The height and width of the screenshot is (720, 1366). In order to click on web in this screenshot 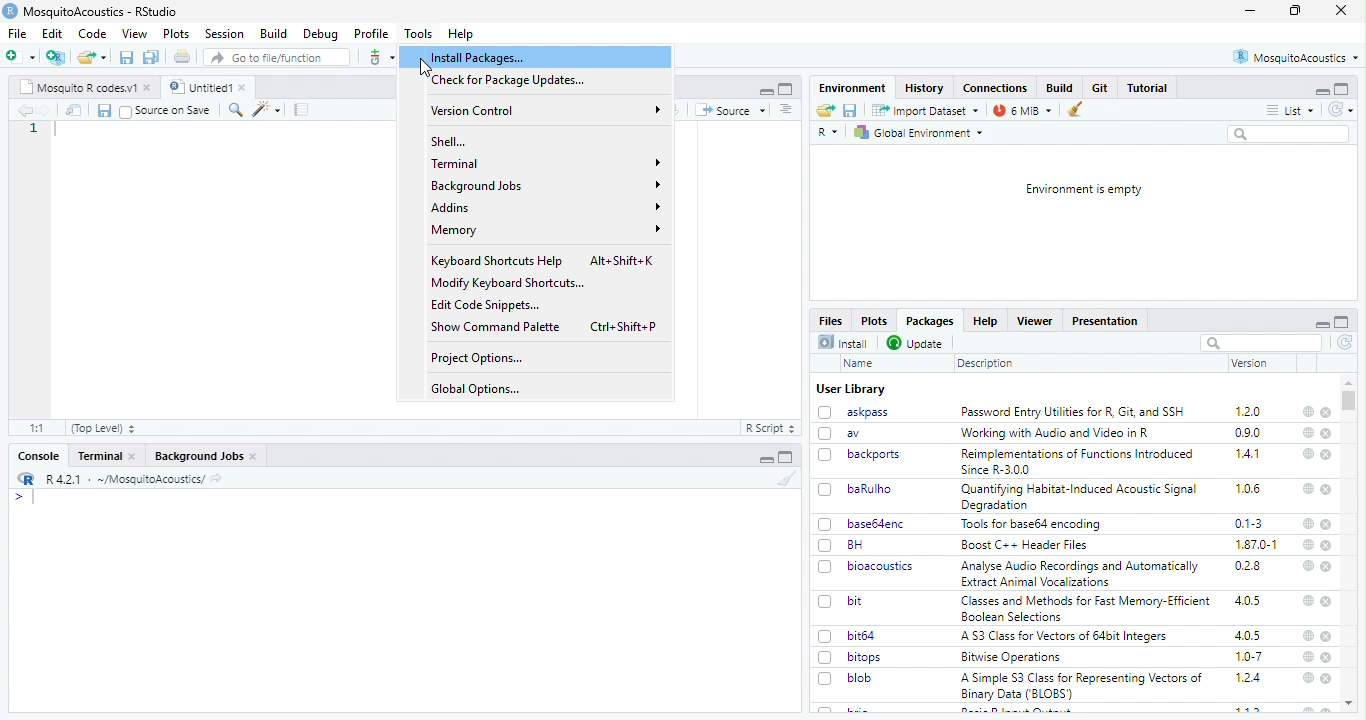, I will do `click(1310, 657)`.